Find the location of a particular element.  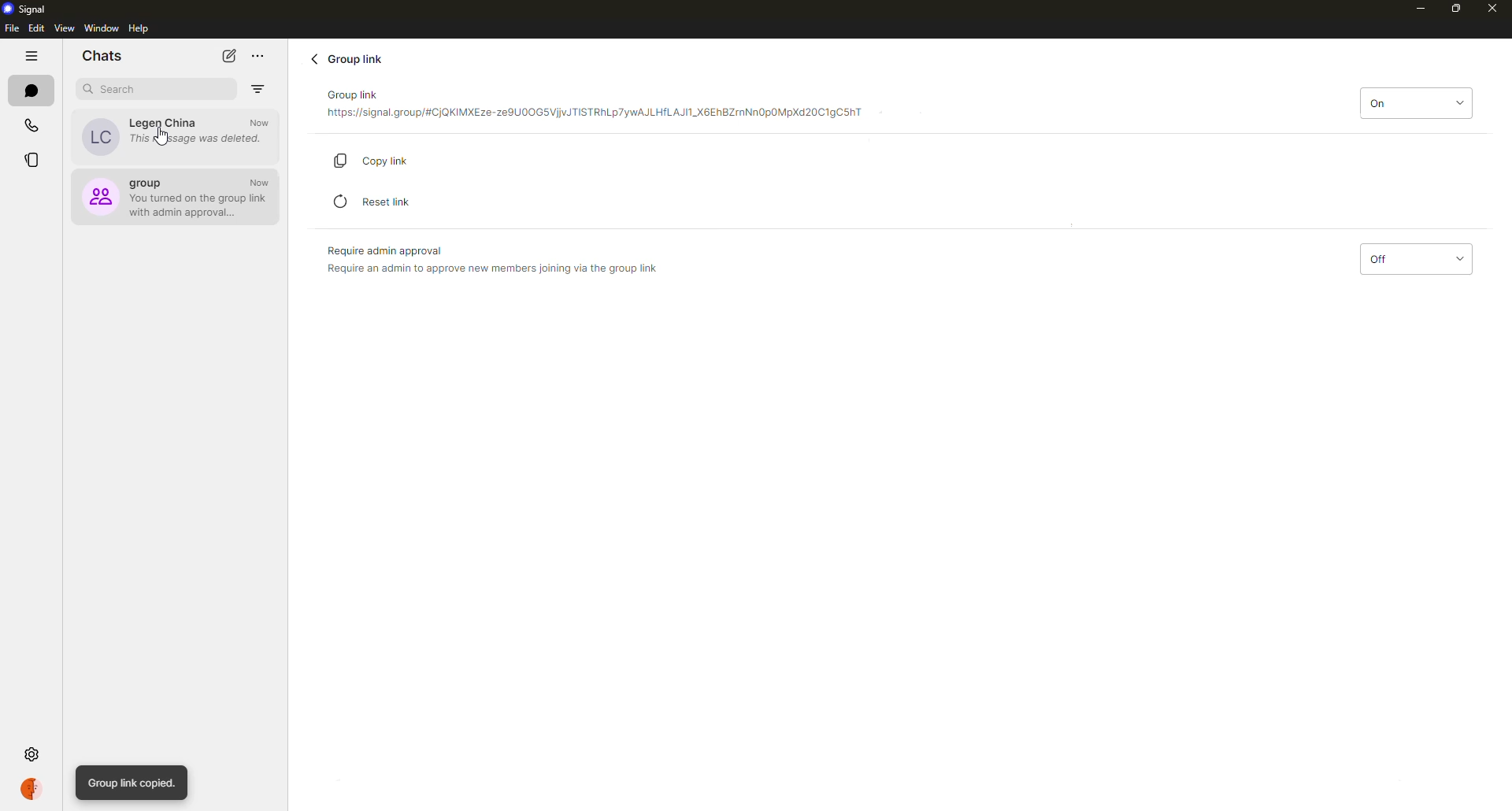

more is located at coordinates (258, 56).